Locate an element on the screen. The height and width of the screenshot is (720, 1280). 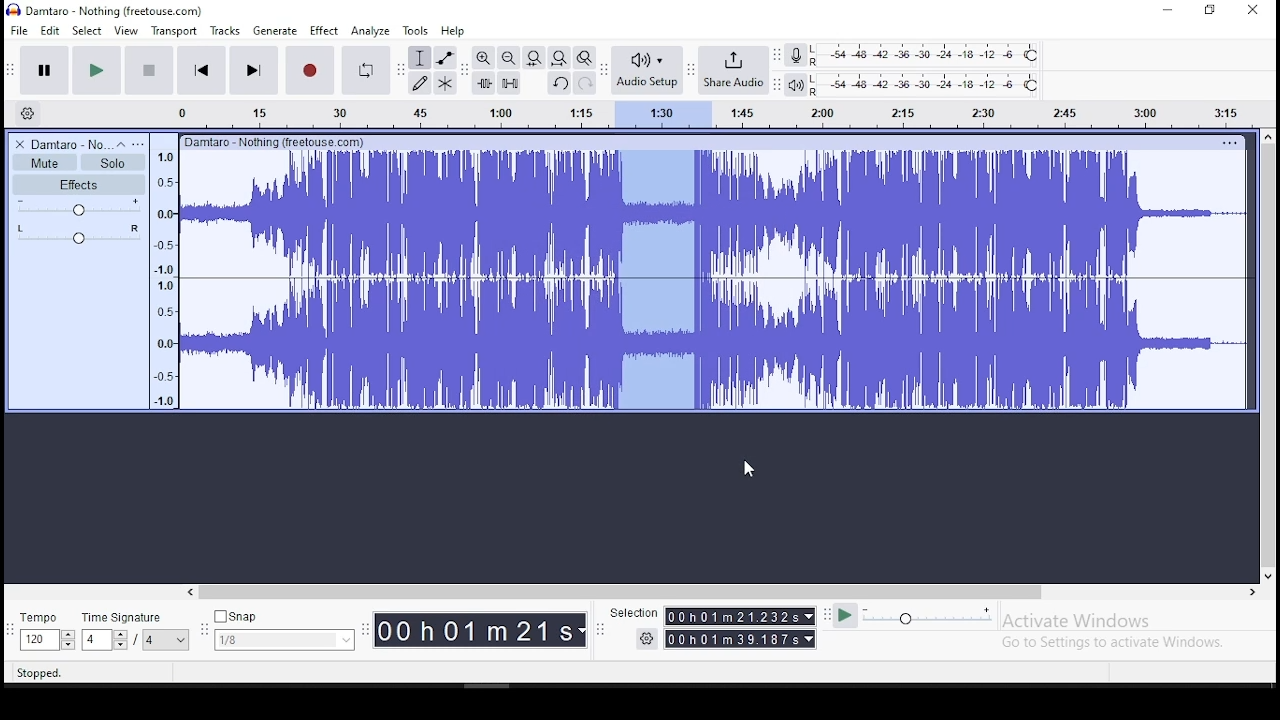
play is located at coordinates (96, 71).